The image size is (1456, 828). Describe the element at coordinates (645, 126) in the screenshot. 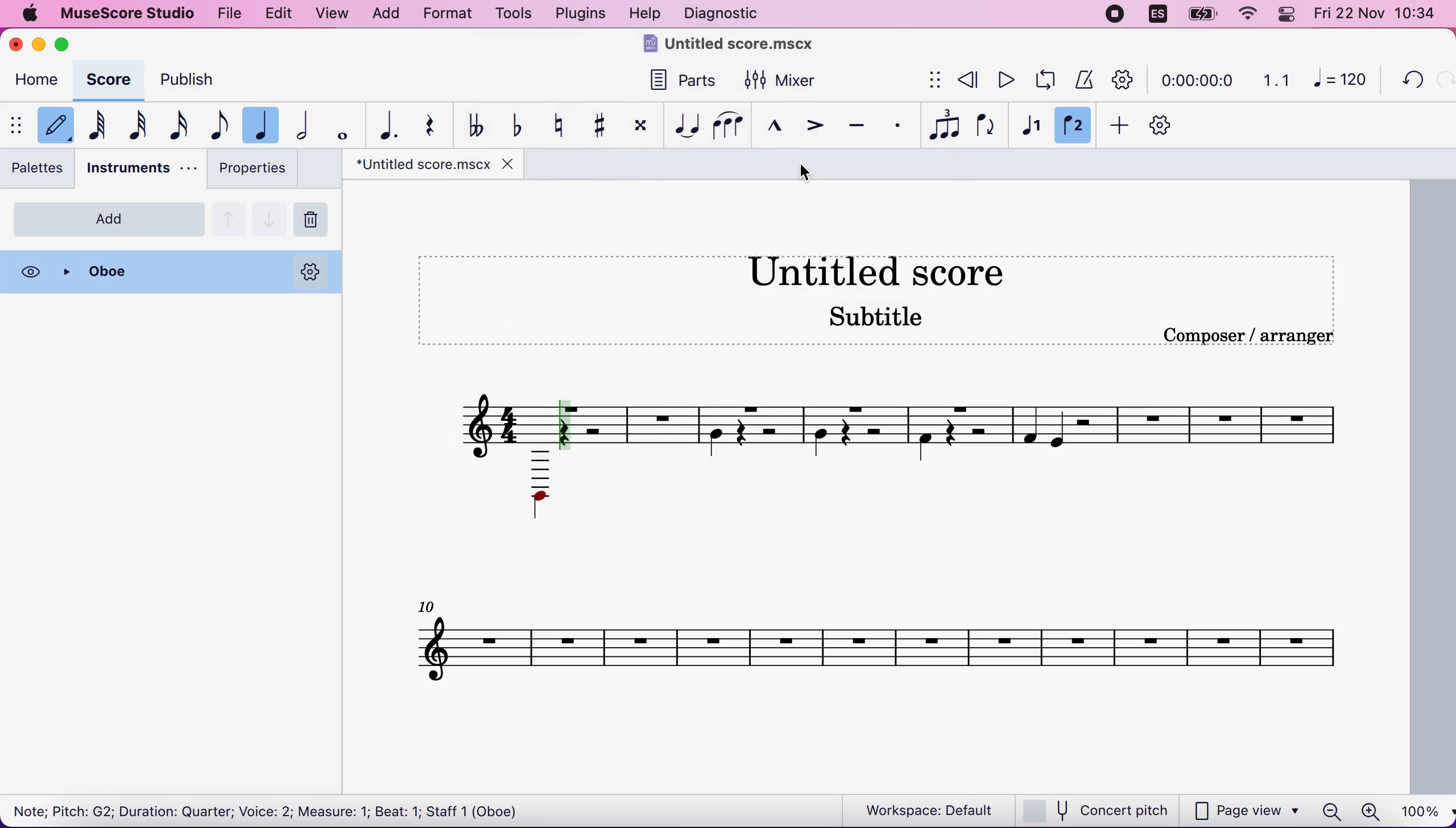

I see `toggle double sharp` at that location.